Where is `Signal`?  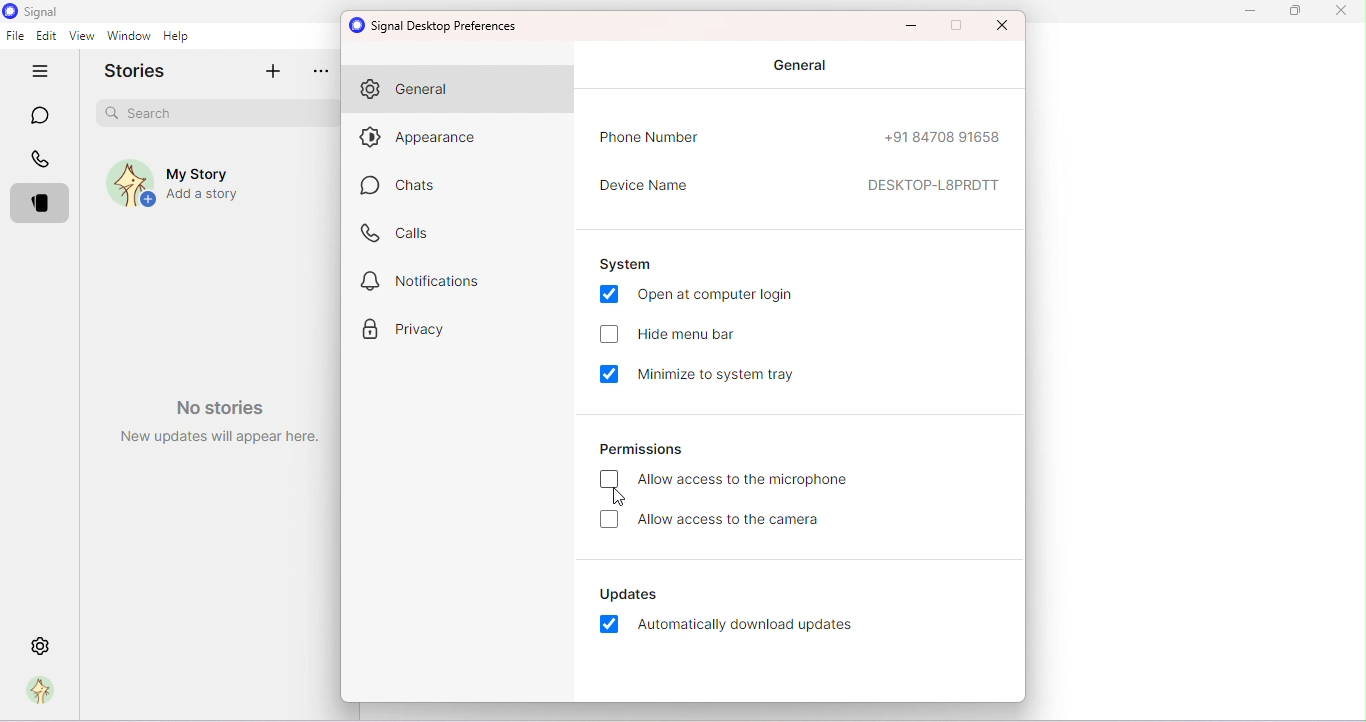 Signal is located at coordinates (38, 12).